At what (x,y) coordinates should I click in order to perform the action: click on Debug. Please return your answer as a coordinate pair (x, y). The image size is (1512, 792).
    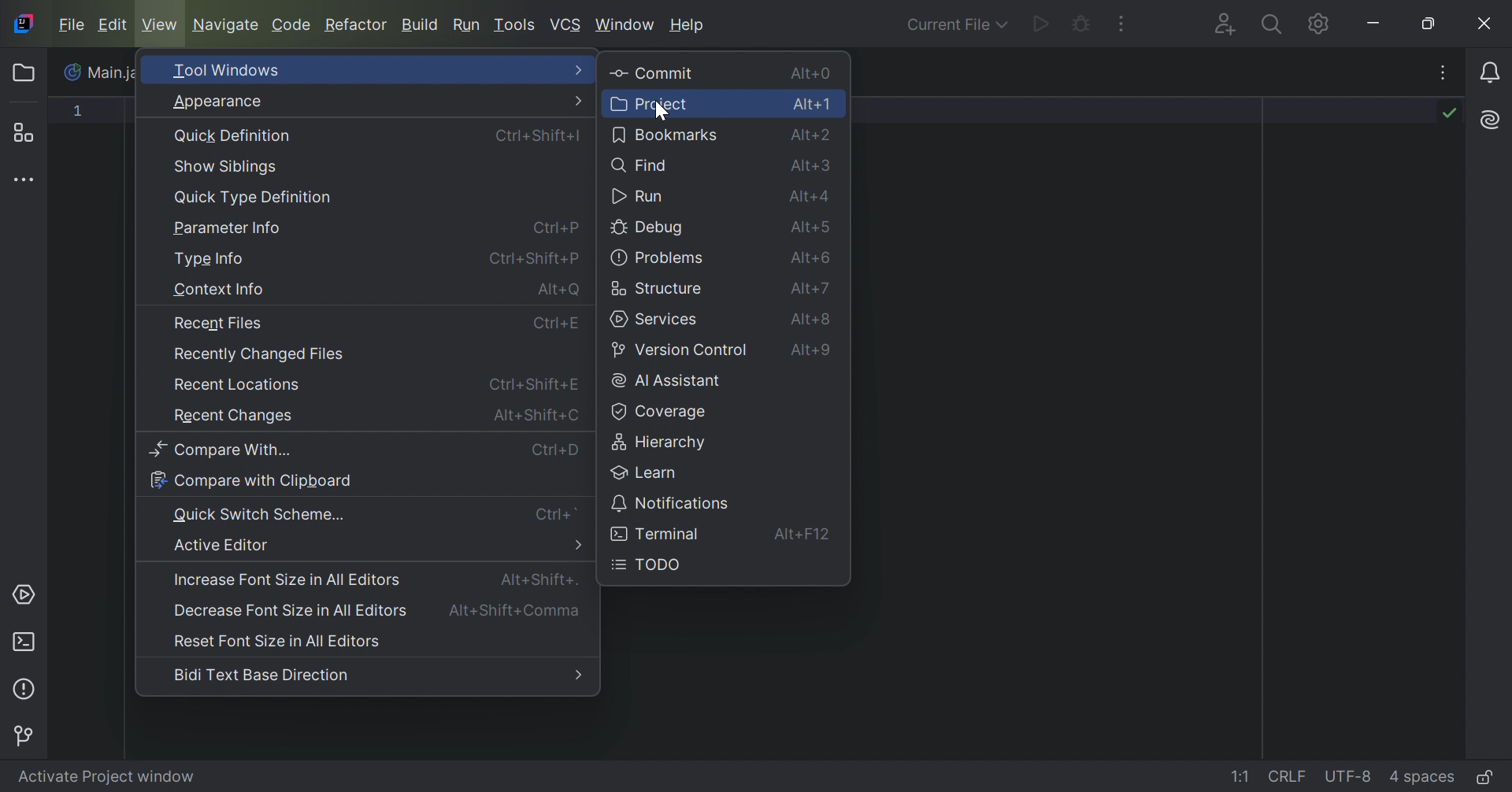
    Looking at the image, I should click on (650, 229).